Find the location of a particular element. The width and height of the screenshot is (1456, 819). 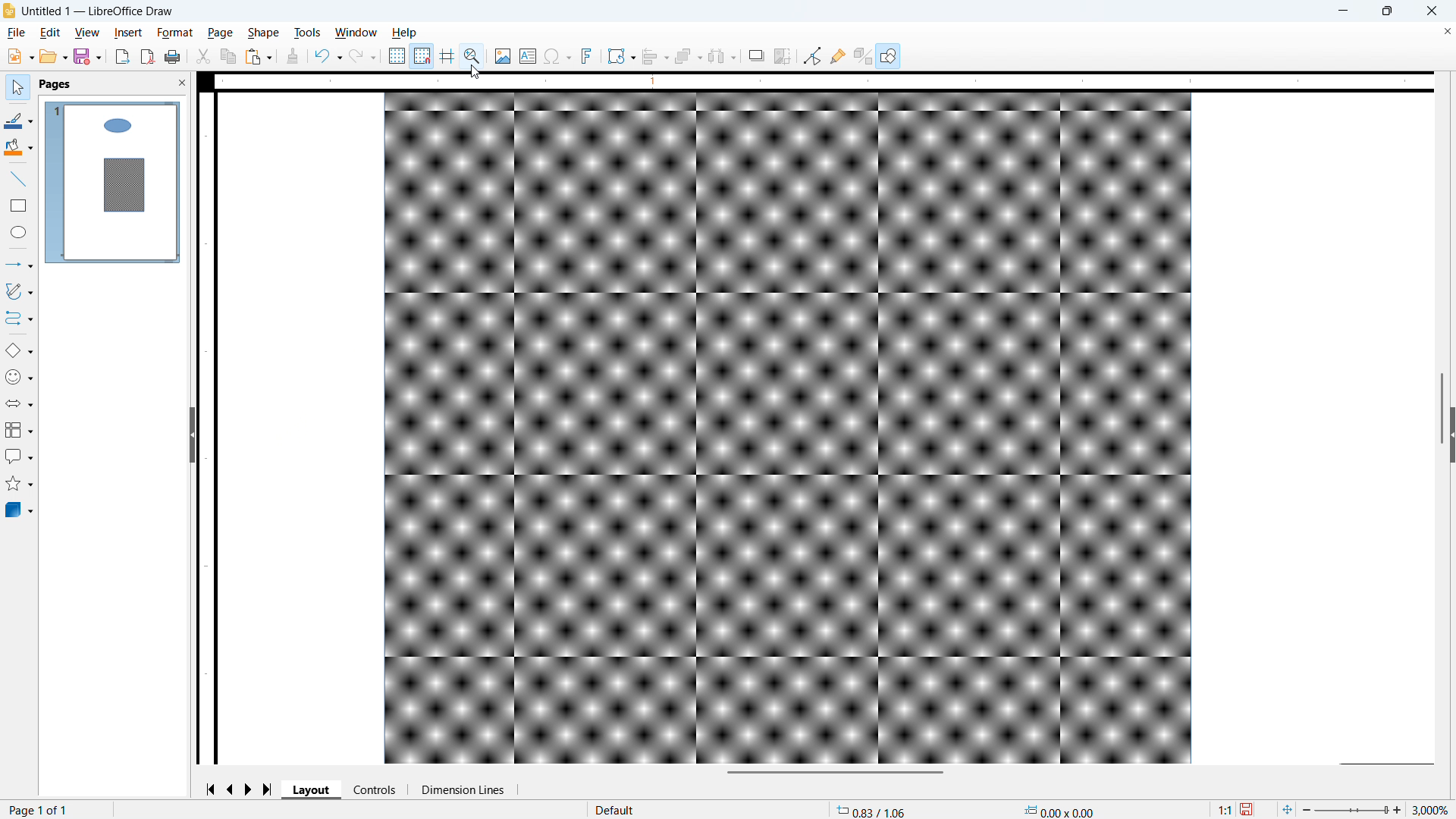

Default page style  is located at coordinates (616, 808).